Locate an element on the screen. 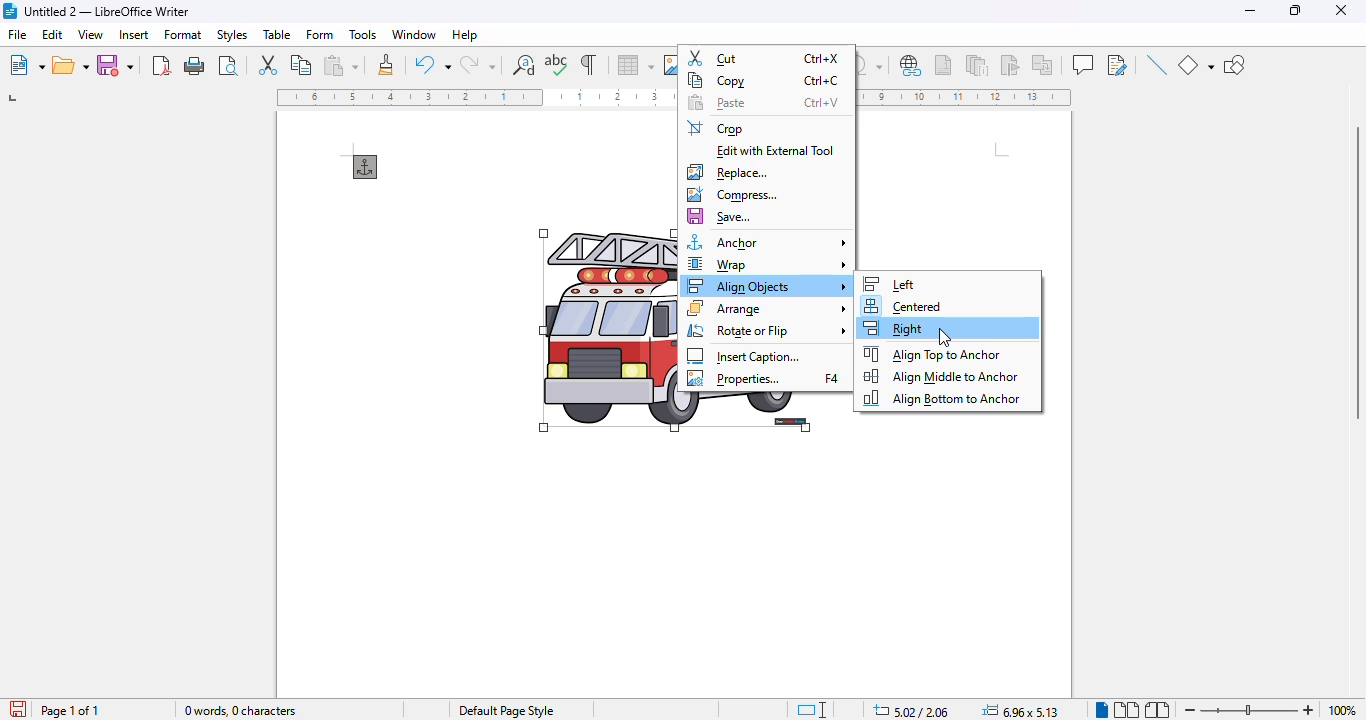  file is located at coordinates (18, 33).